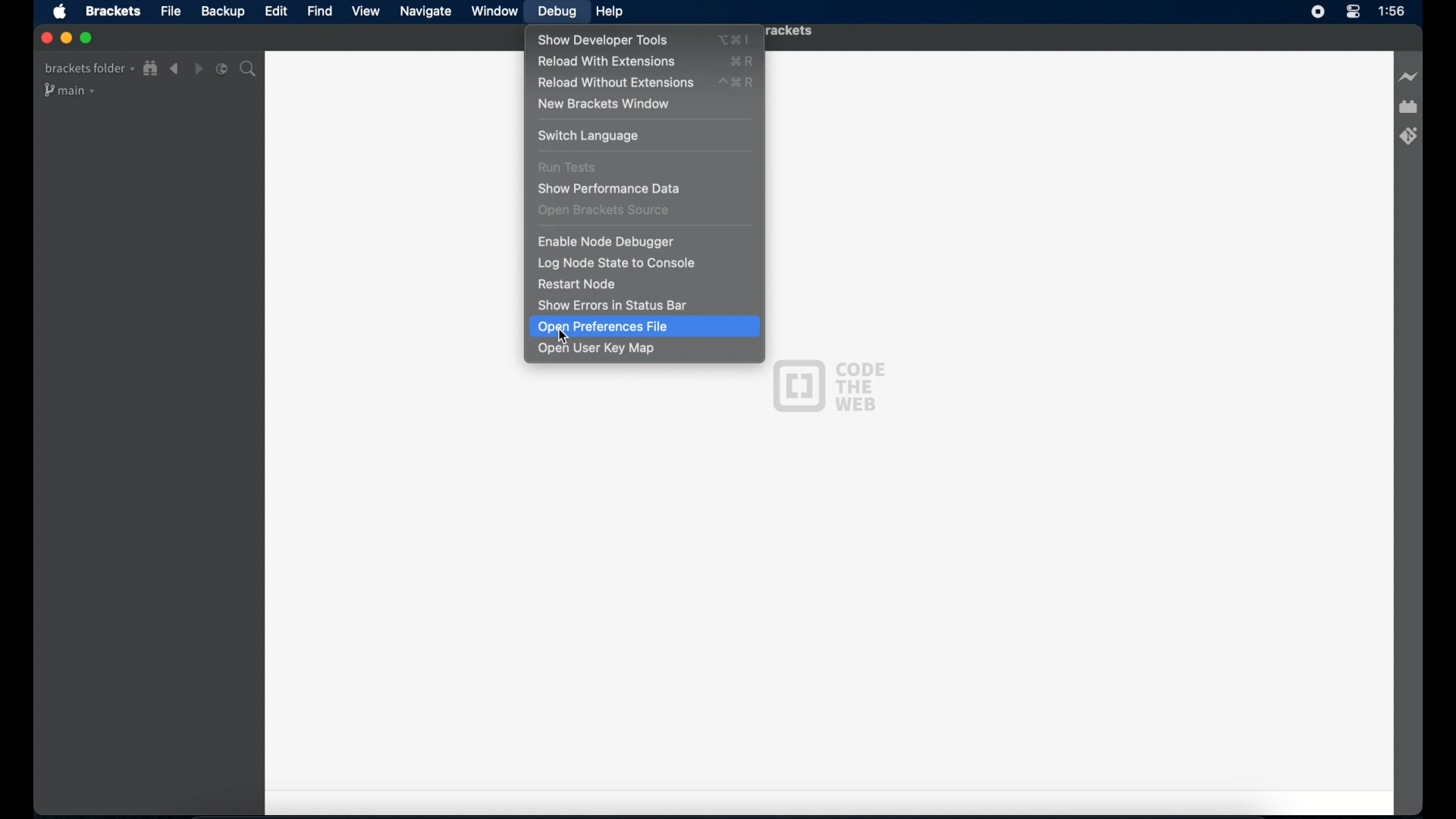 This screenshot has width=1456, height=819. Describe the element at coordinates (114, 11) in the screenshot. I see `brackets` at that location.